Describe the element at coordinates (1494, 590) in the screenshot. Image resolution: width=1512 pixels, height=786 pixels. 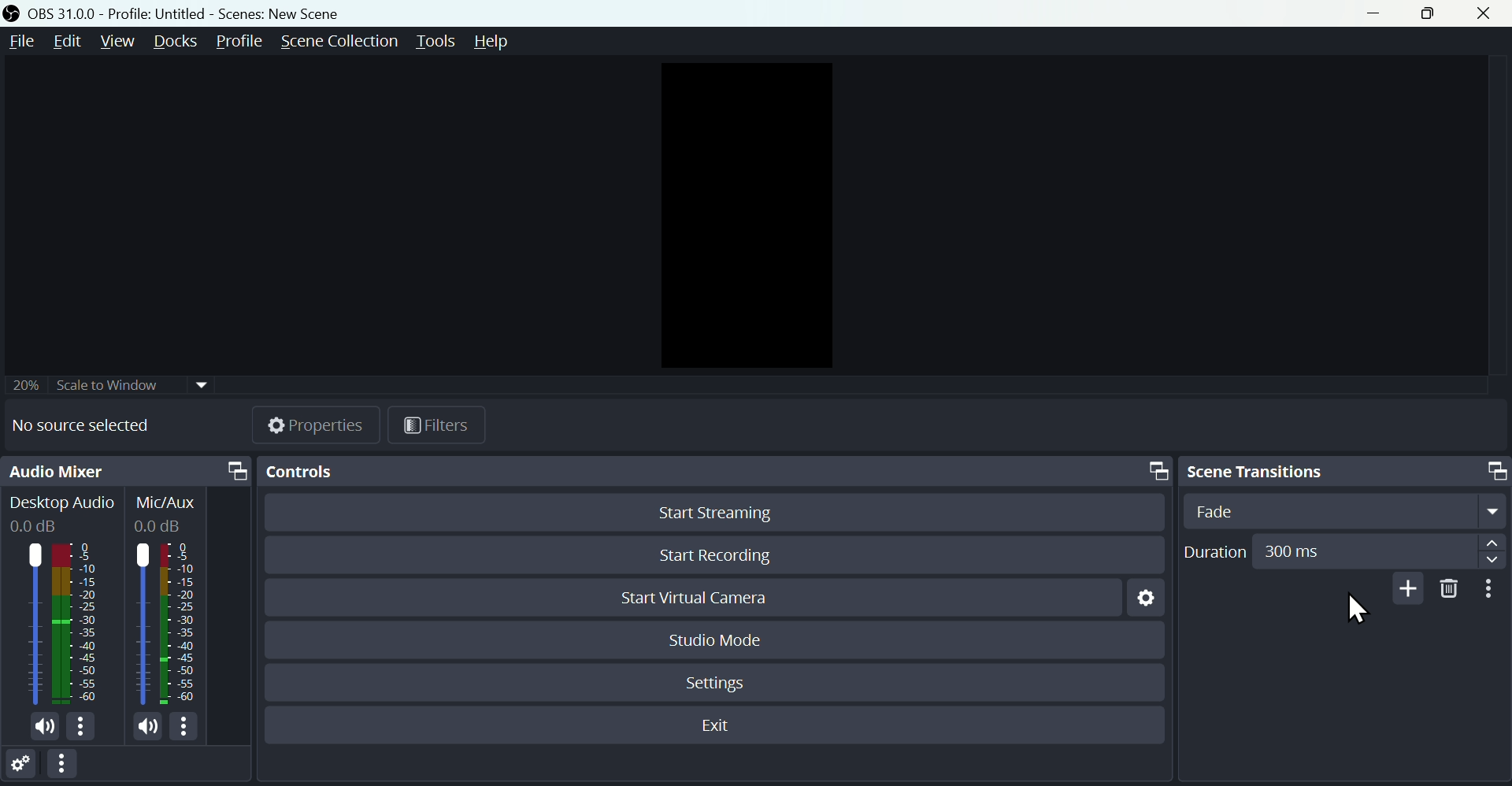
I see `More options` at that location.